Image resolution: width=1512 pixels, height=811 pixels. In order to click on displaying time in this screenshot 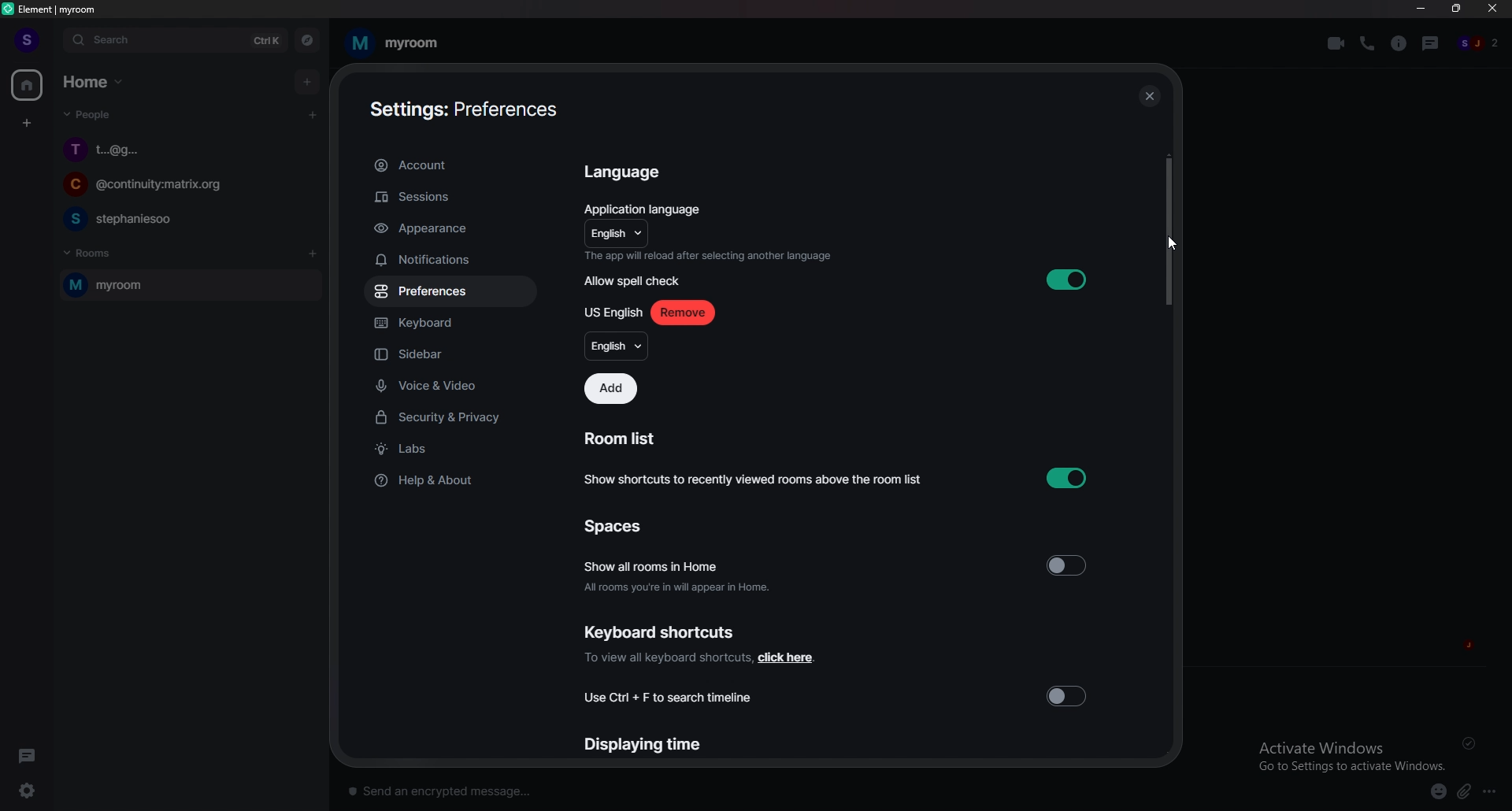, I will do `click(641, 746)`.